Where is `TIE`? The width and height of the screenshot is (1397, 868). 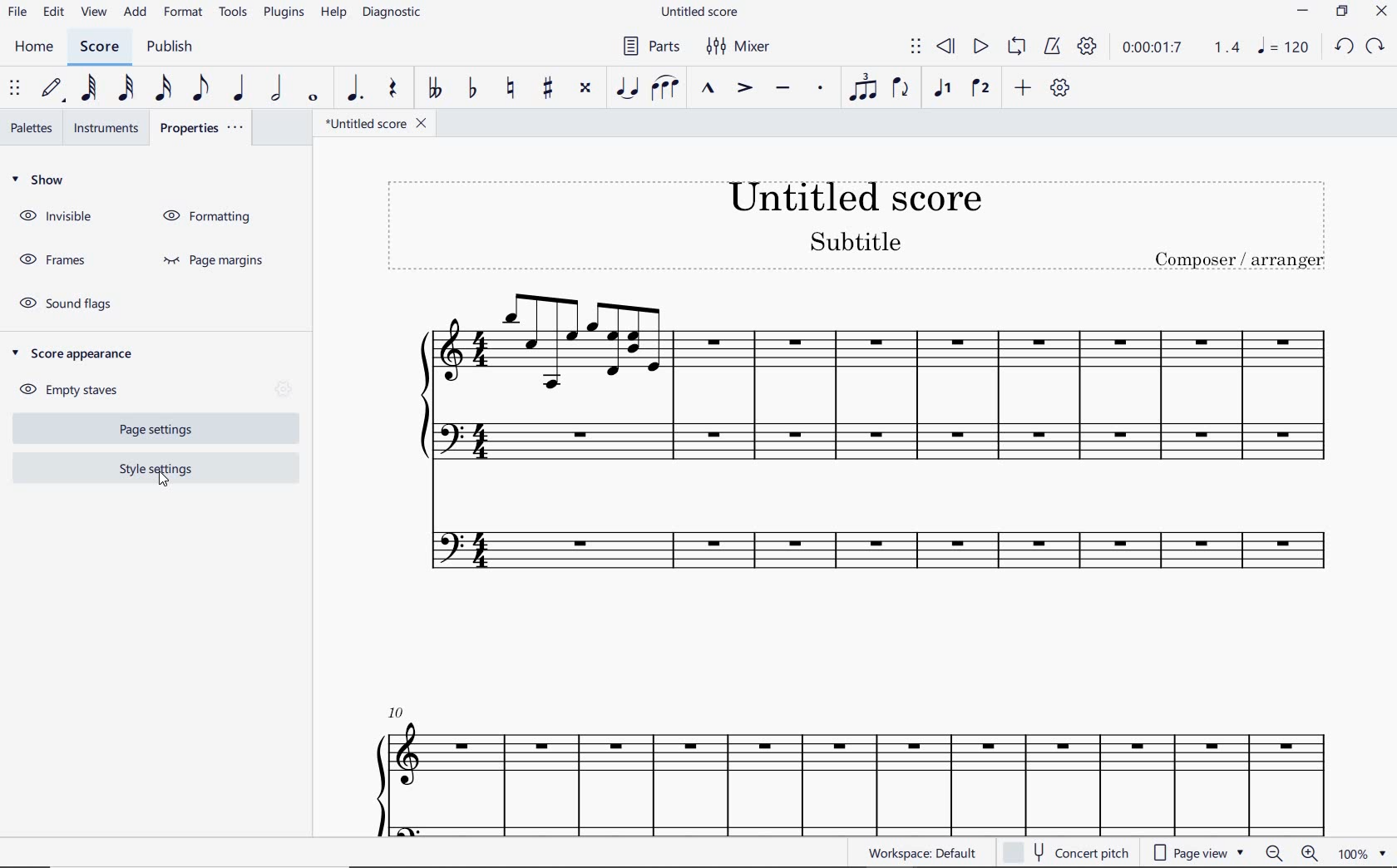
TIE is located at coordinates (628, 87).